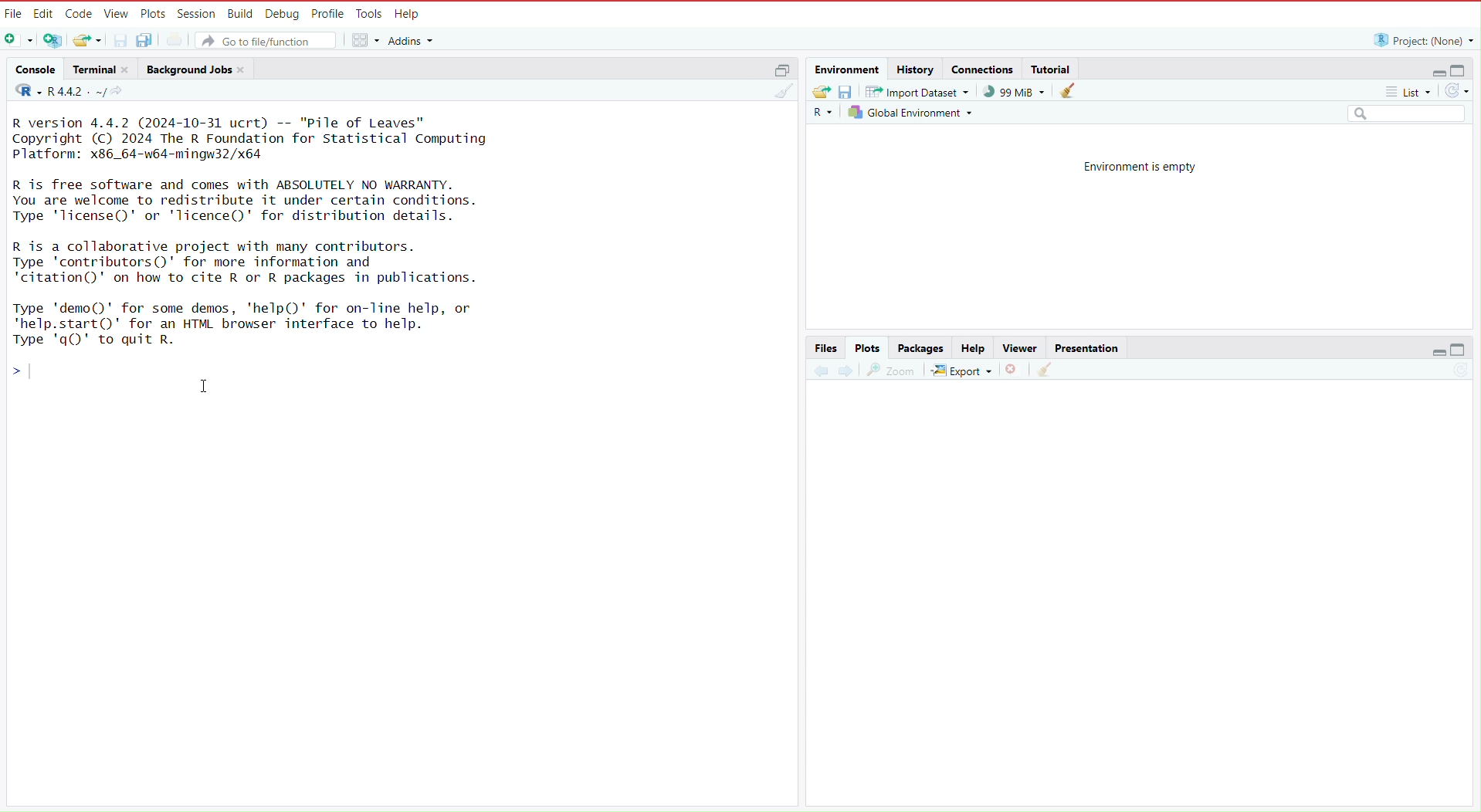 The width and height of the screenshot is (1481, 812). Describe the element at coordinates (410, 12) in the screenshot. I see `help` at that location.